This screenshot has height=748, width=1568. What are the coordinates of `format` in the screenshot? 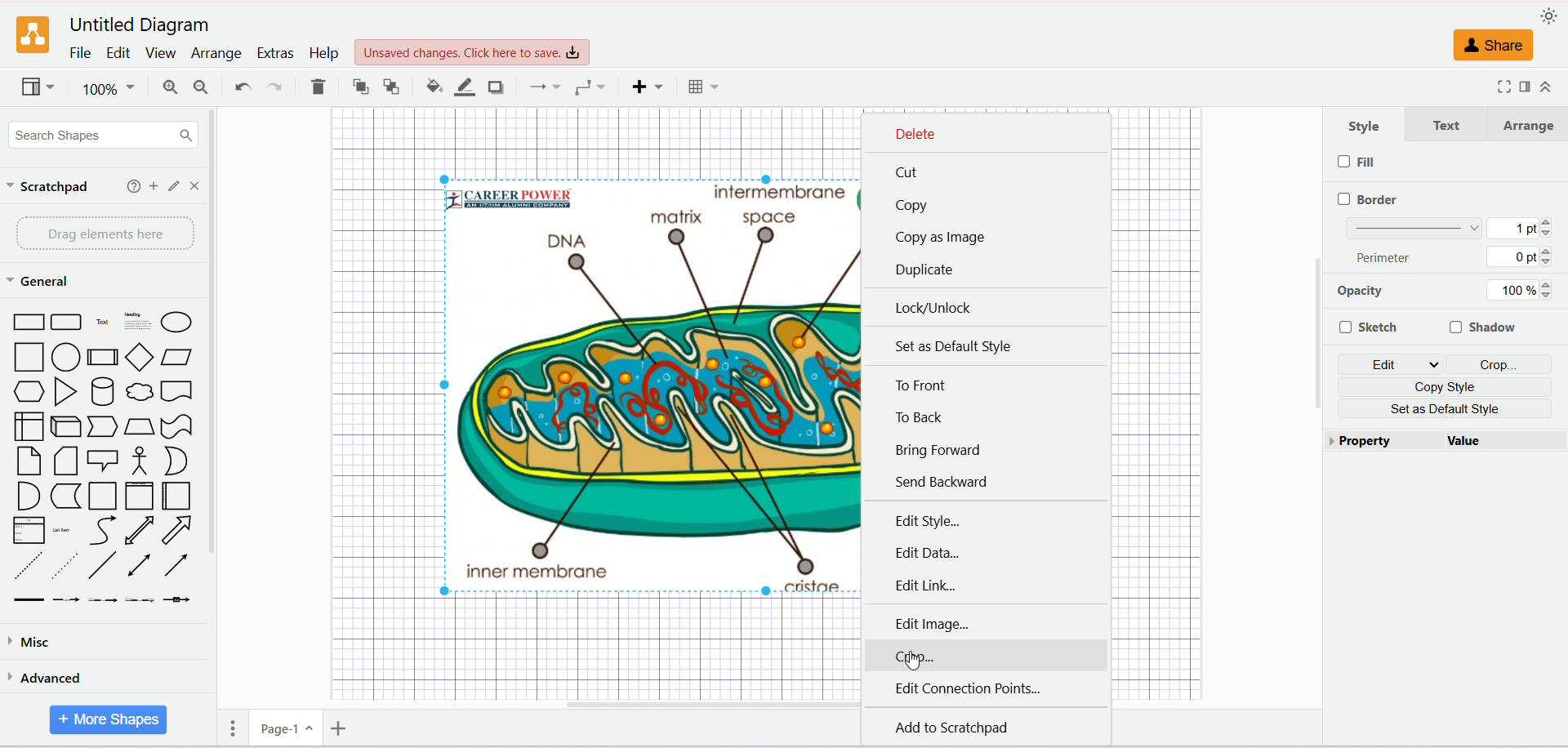 It's located at (1523, 86).